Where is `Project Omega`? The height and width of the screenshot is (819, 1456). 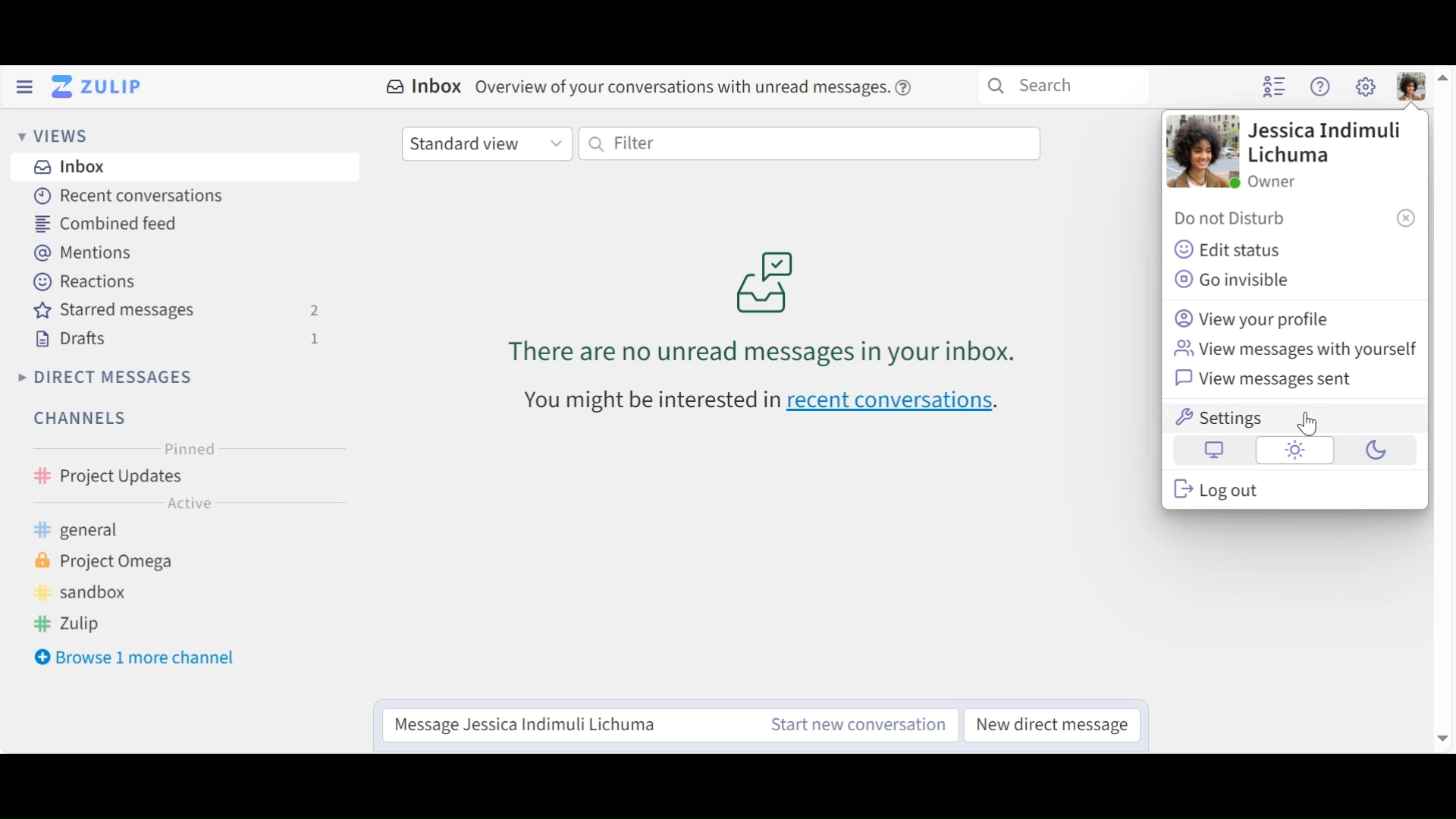 Project Omega is located at coordinates (121, 565).